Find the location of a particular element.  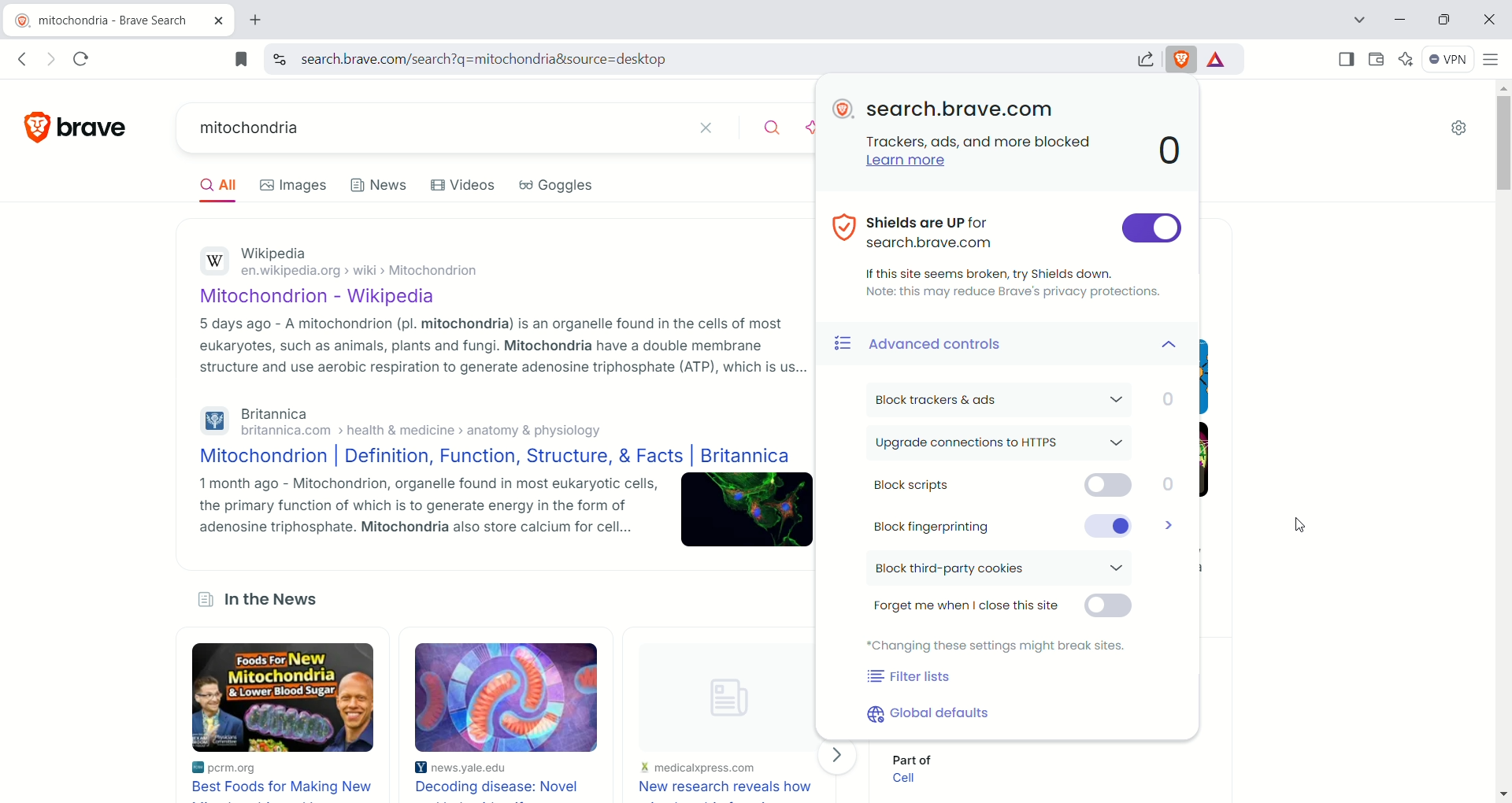

new research reveals how is located at coordinates (724, 787).